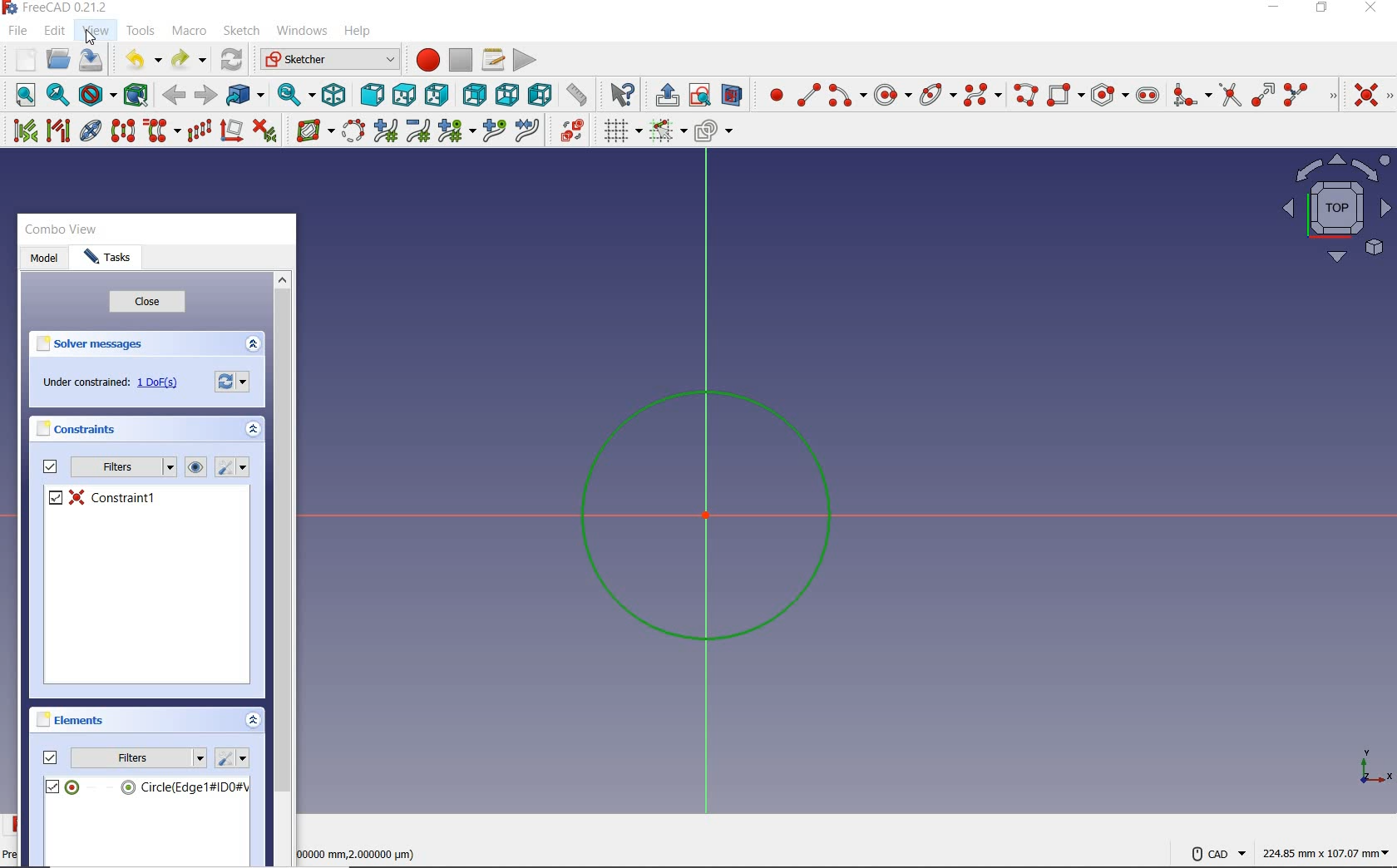  What do you see at coordinates (1263, 93) in the screenshot?
I see `extend edge` at bounding box center [1263, 93].